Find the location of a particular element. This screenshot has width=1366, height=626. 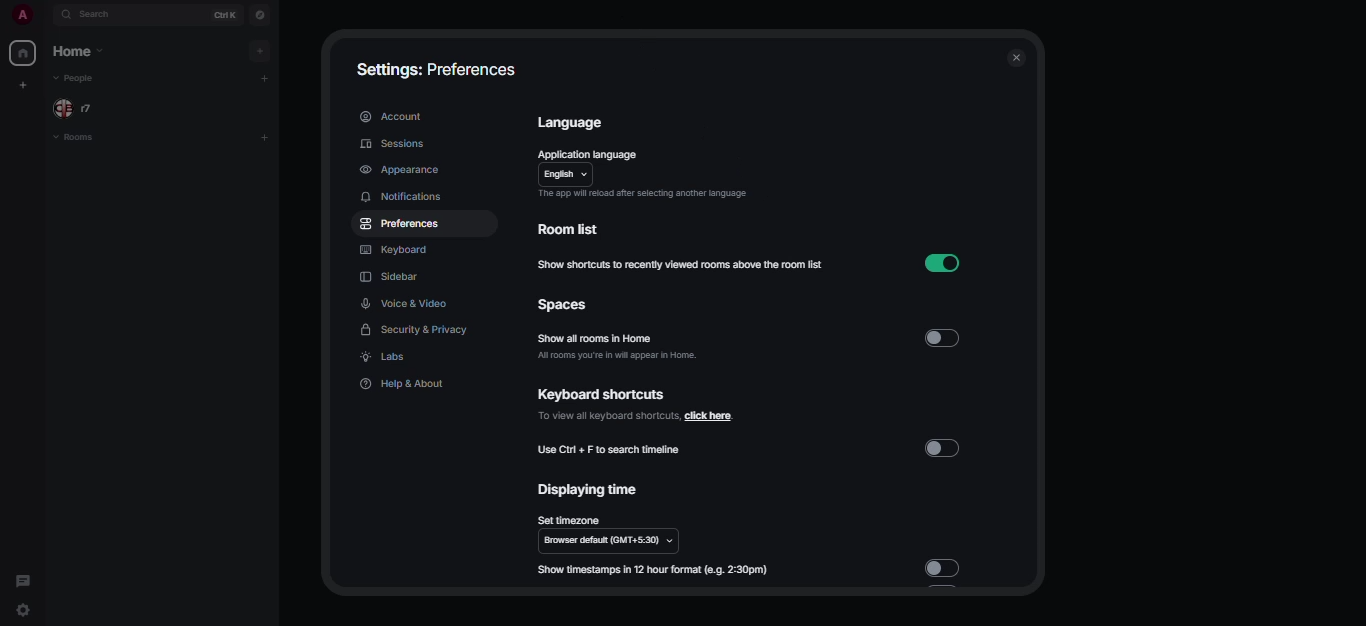

close is located at coordinates (1018, 59).